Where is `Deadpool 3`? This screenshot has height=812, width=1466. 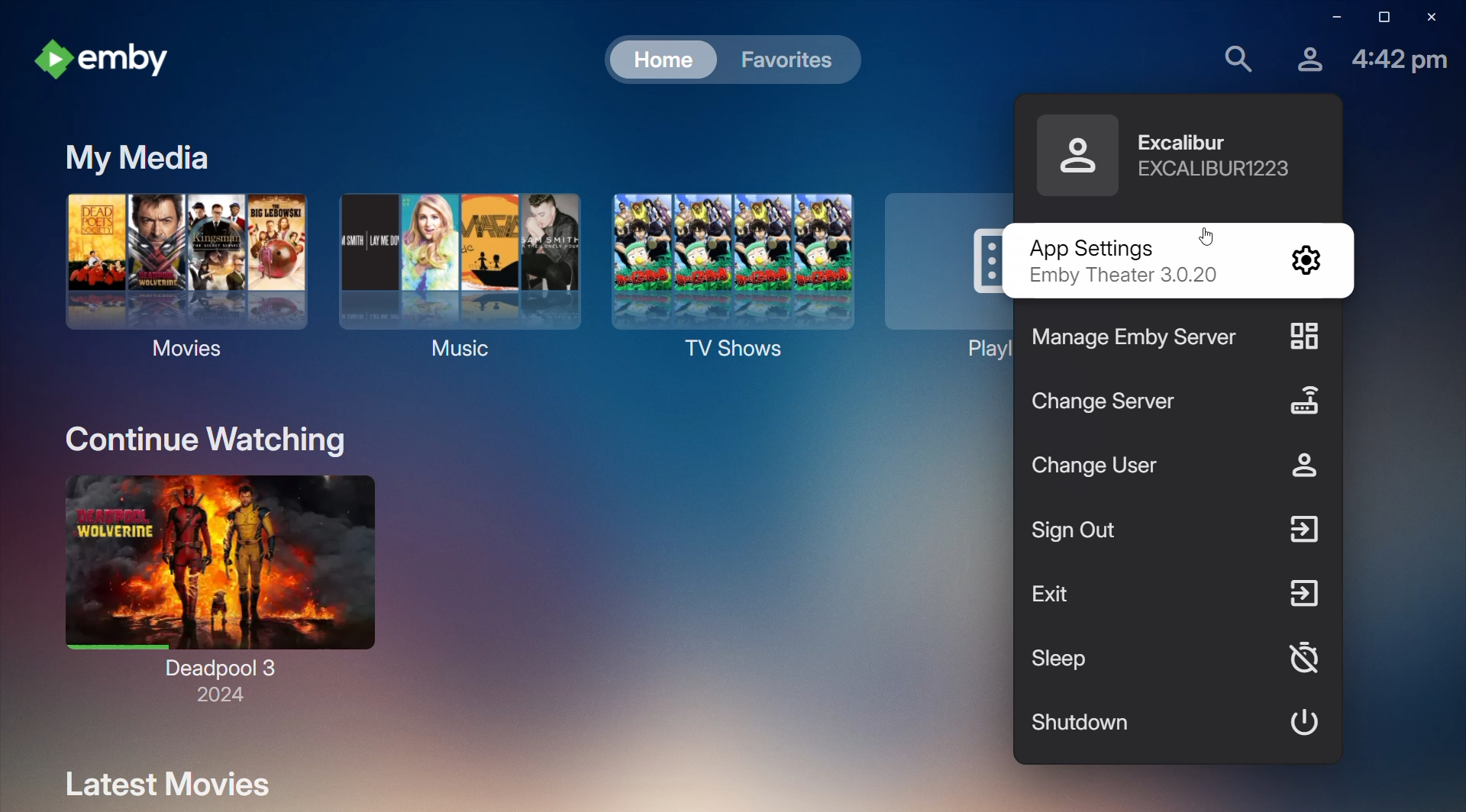
Deadpool 3 is located at coordinates (220, 586).